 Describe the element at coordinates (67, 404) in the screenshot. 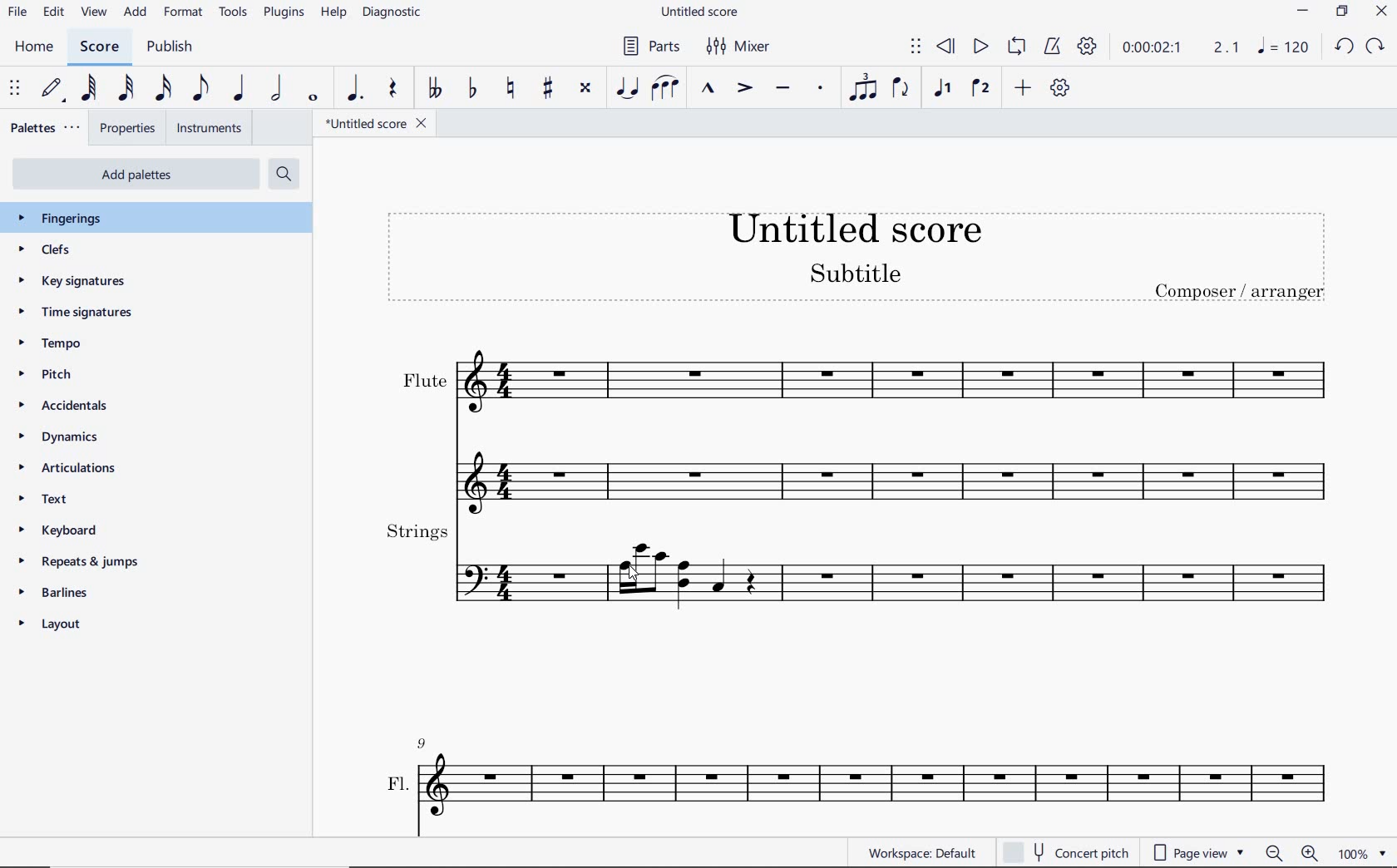

I see `accidentals` at that location.